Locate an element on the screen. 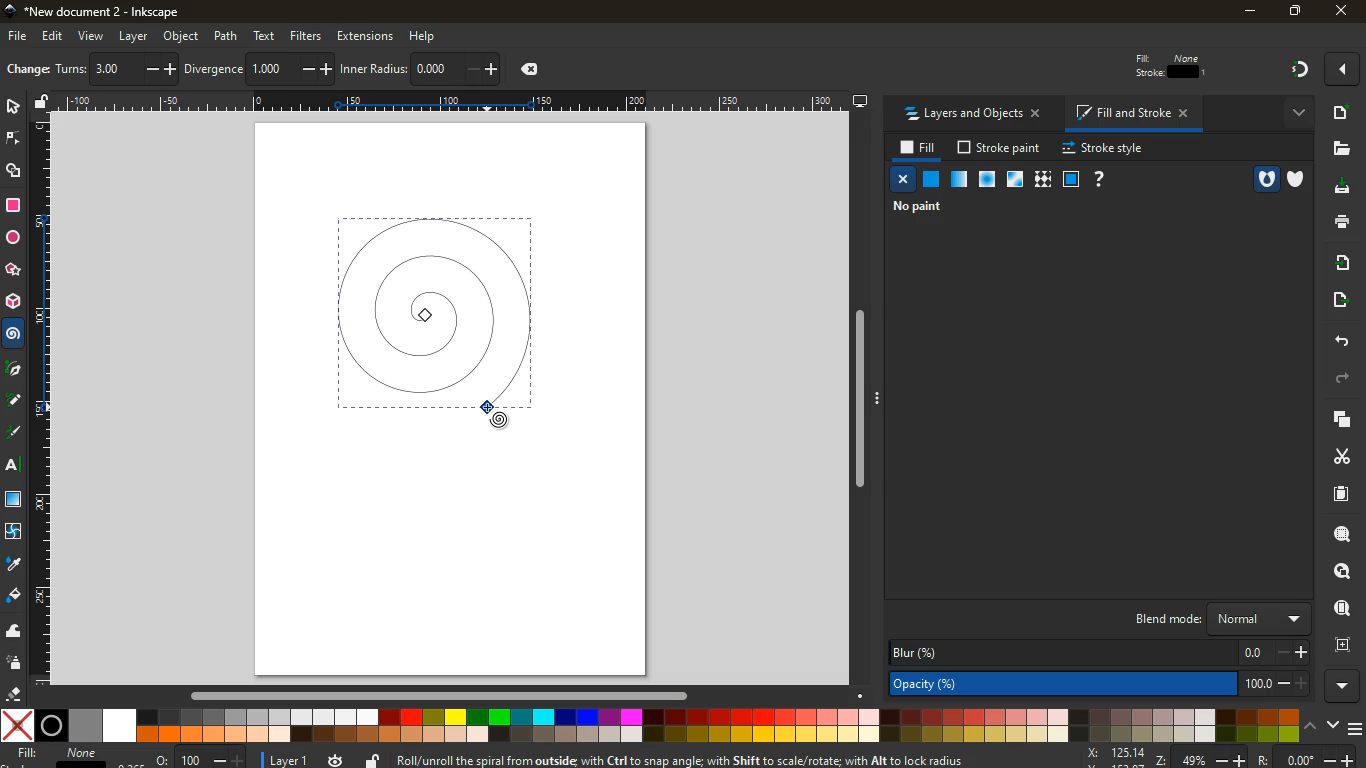 The height and width of the screenshot is (768, 1366). unlock is located at coordinates (38, 104).